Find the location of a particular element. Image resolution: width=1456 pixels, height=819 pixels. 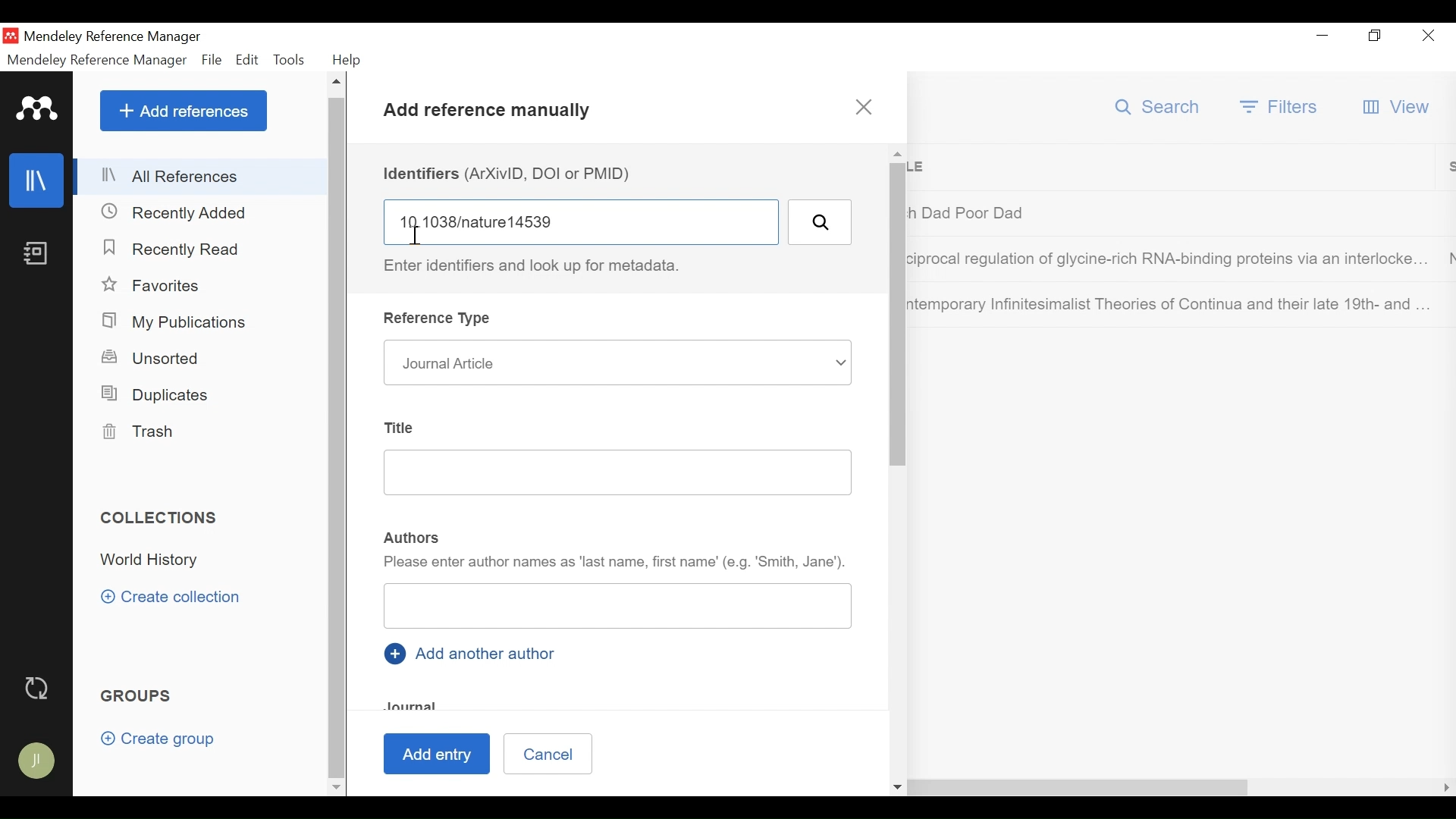

Reference Type Field is located at coordinates (617, 362).